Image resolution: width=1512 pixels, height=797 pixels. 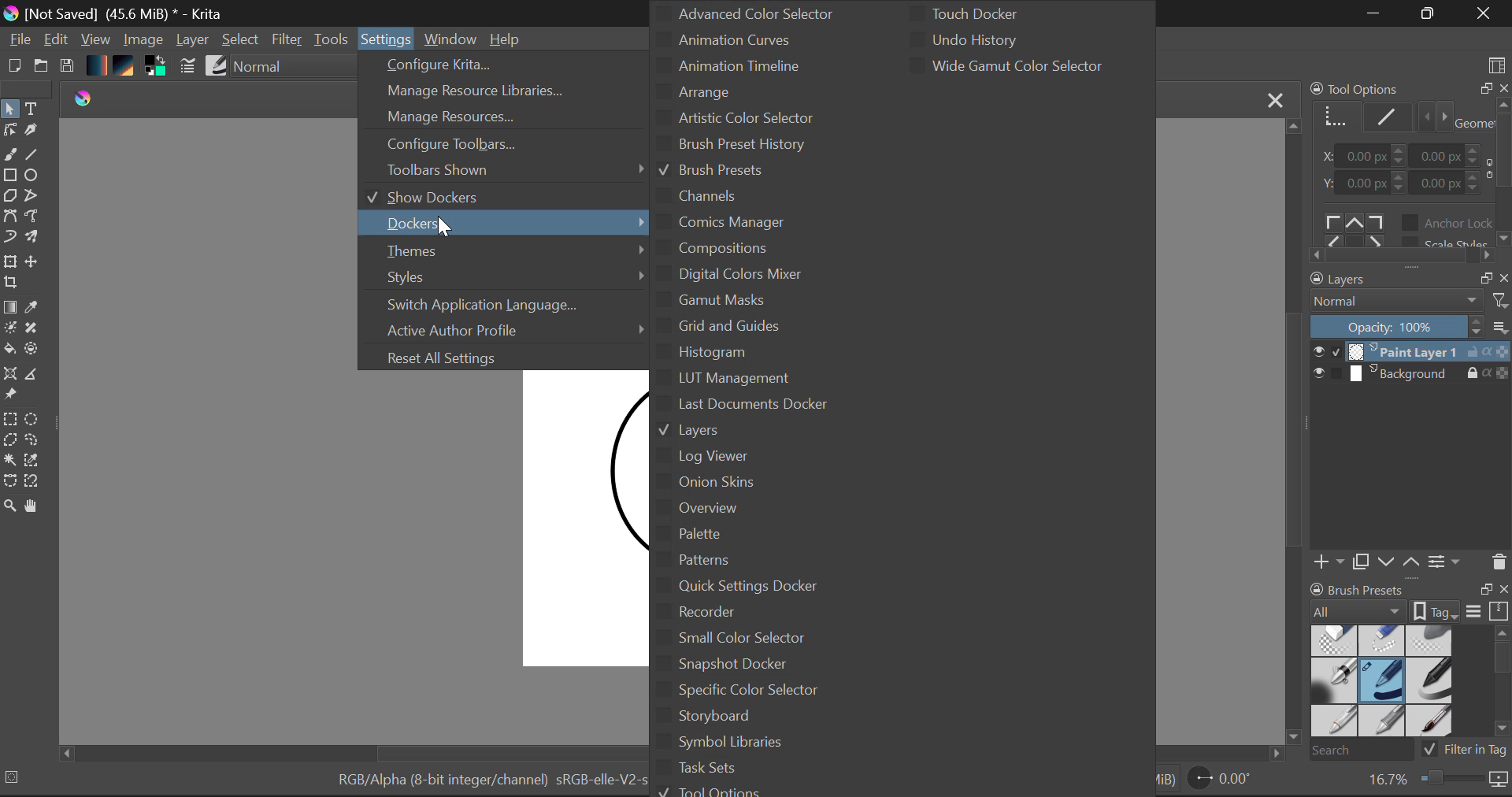 What do you see at coordinates (747, 275) in the screenshot?
I see `Digital Colors Mixer` at bounding box center [747, 275].